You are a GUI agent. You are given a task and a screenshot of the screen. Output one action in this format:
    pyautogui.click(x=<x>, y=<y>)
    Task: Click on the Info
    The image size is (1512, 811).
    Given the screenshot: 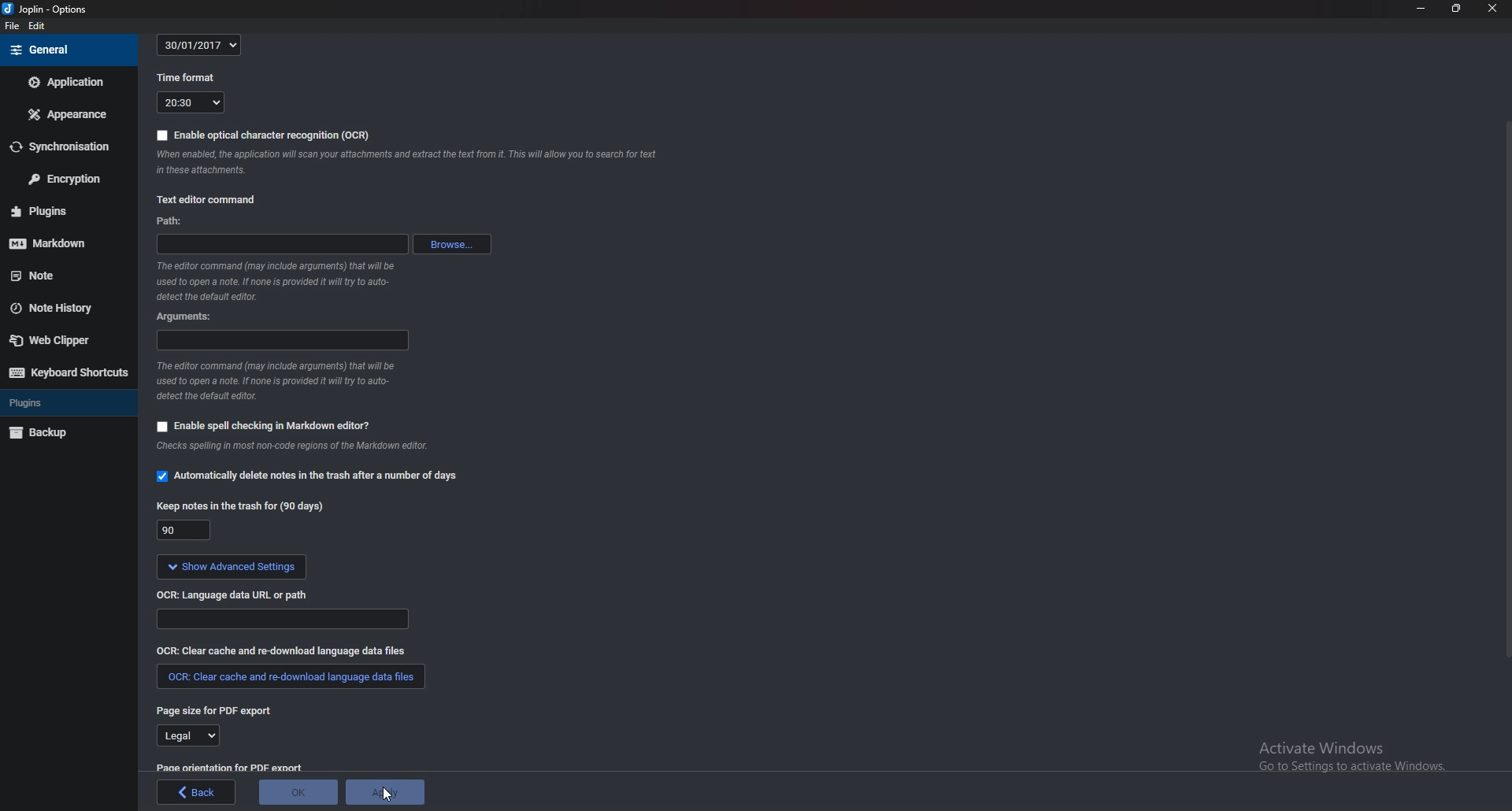 What is the action you would take?
    pyautogui.click(x=282, y=280)
    